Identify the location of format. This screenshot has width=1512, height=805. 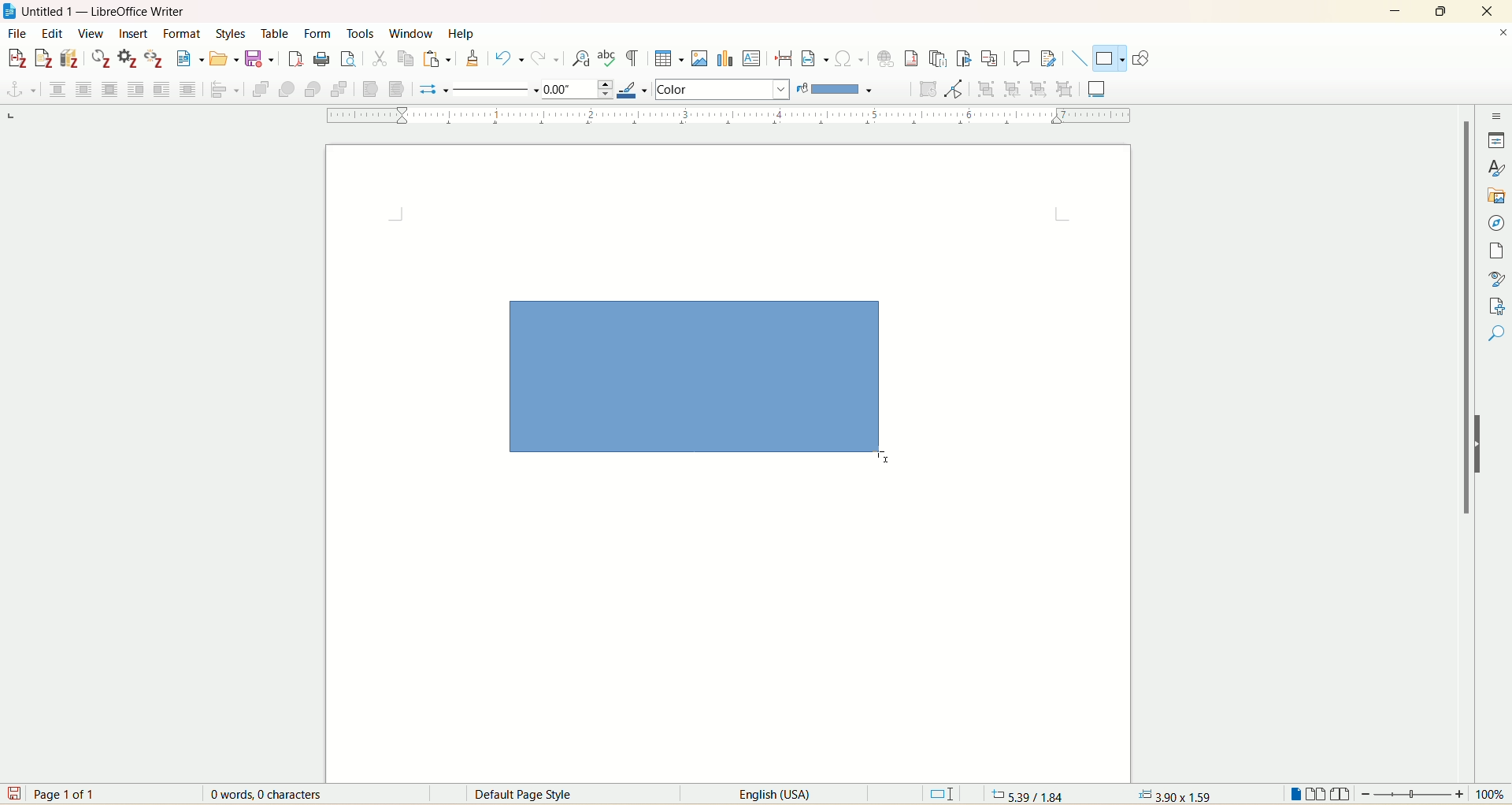
(185, 34).